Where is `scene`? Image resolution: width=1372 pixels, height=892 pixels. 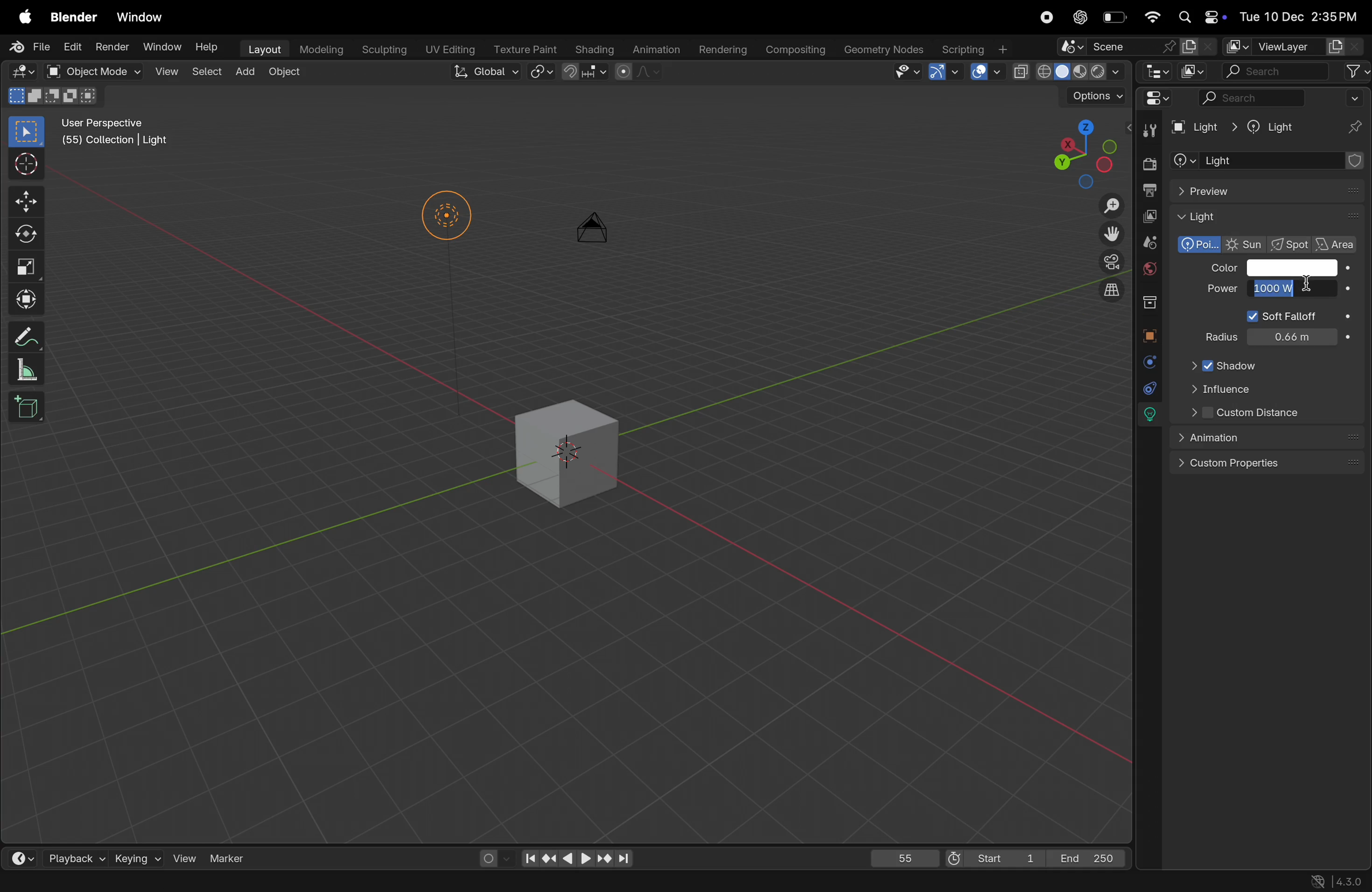 scene is located at coordinates (1136, 47).